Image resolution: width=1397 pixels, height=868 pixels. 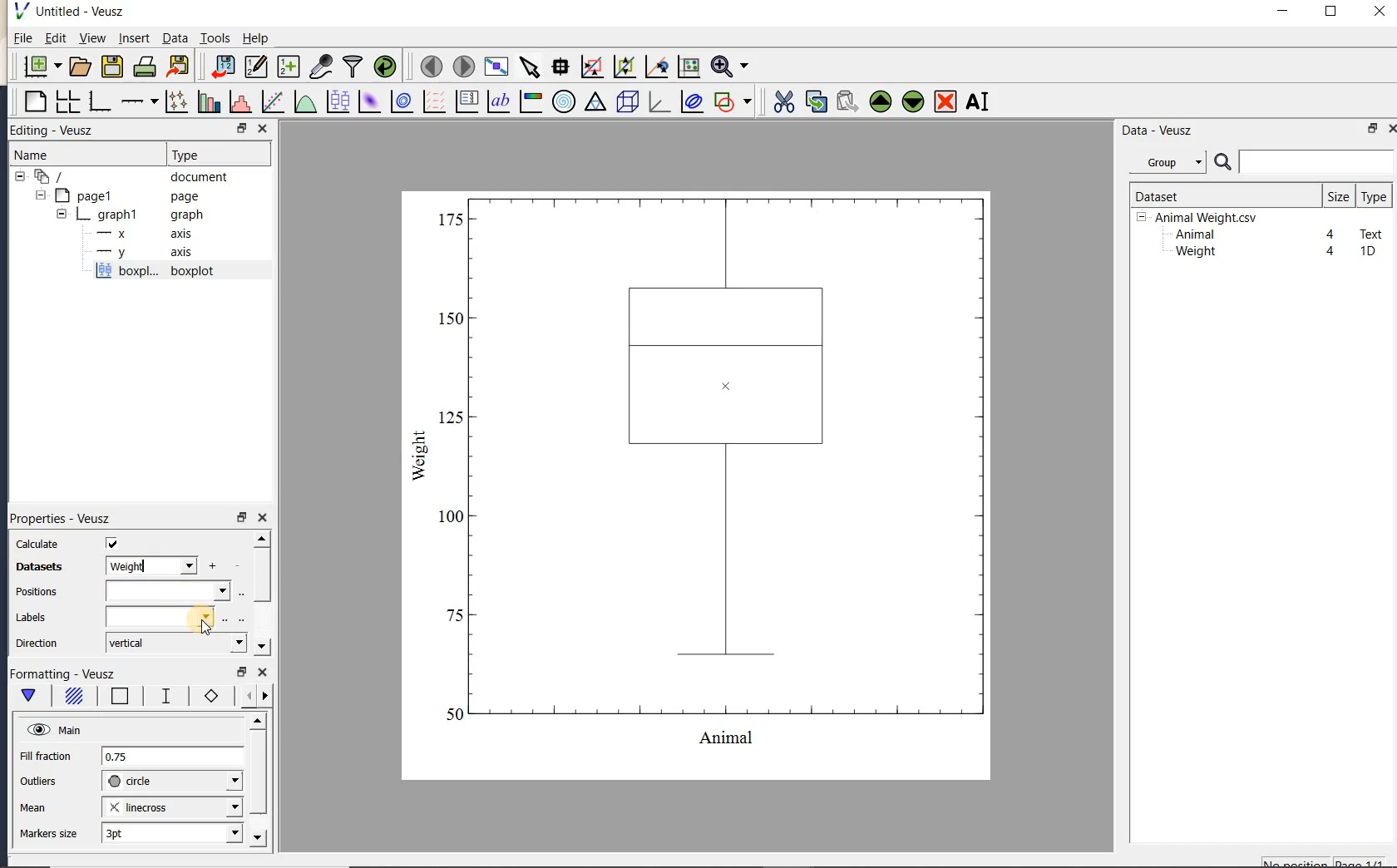 I want to click on page1, so click(x=119, y=197).